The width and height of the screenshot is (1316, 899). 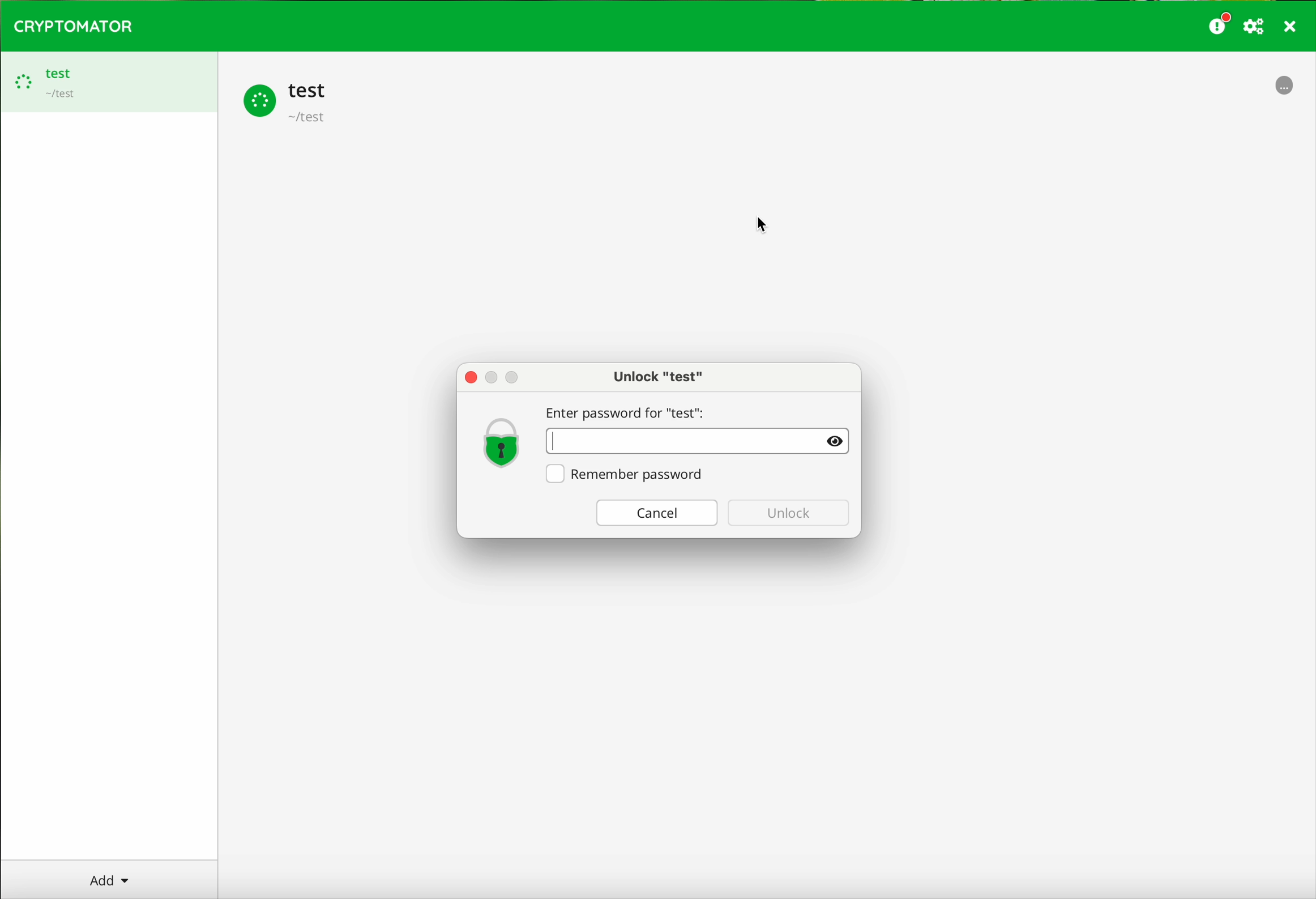 I want to click on Remember password, so click(x=629, y=474).